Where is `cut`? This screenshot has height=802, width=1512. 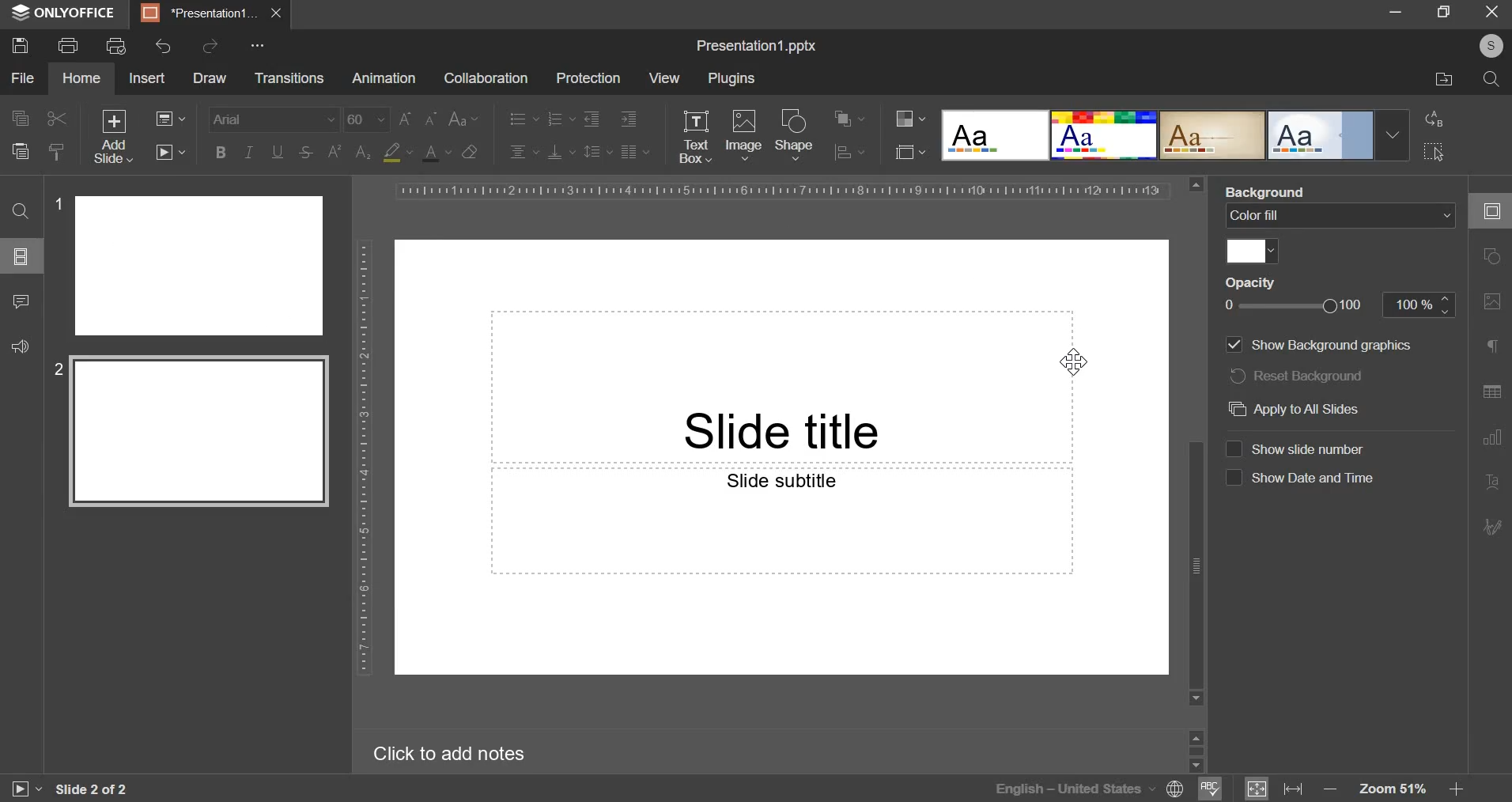 cut is located at coordinates (58, 119).